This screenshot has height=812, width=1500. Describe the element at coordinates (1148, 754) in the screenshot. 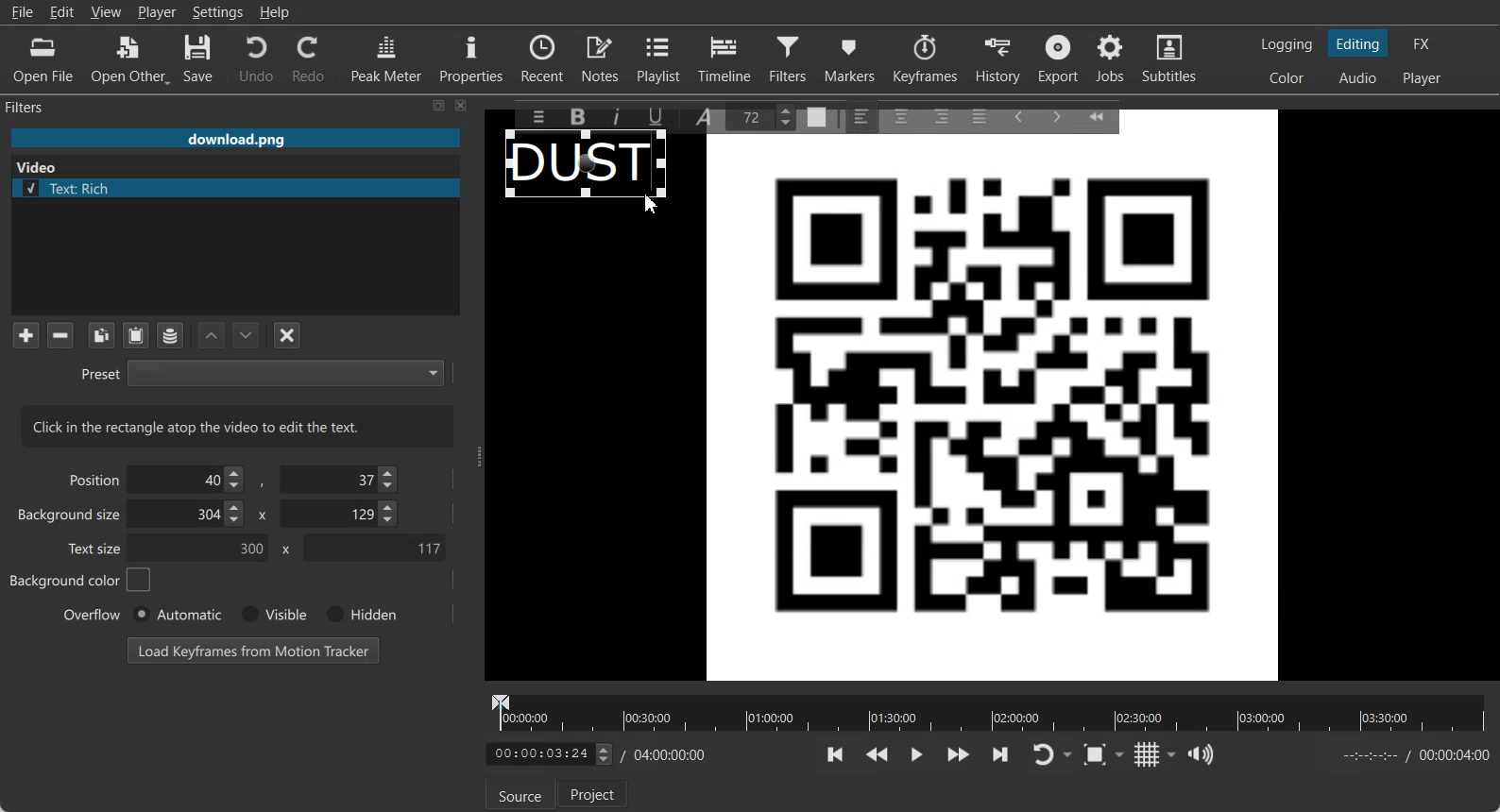

I see `Toggle grid display on the player` at that location.